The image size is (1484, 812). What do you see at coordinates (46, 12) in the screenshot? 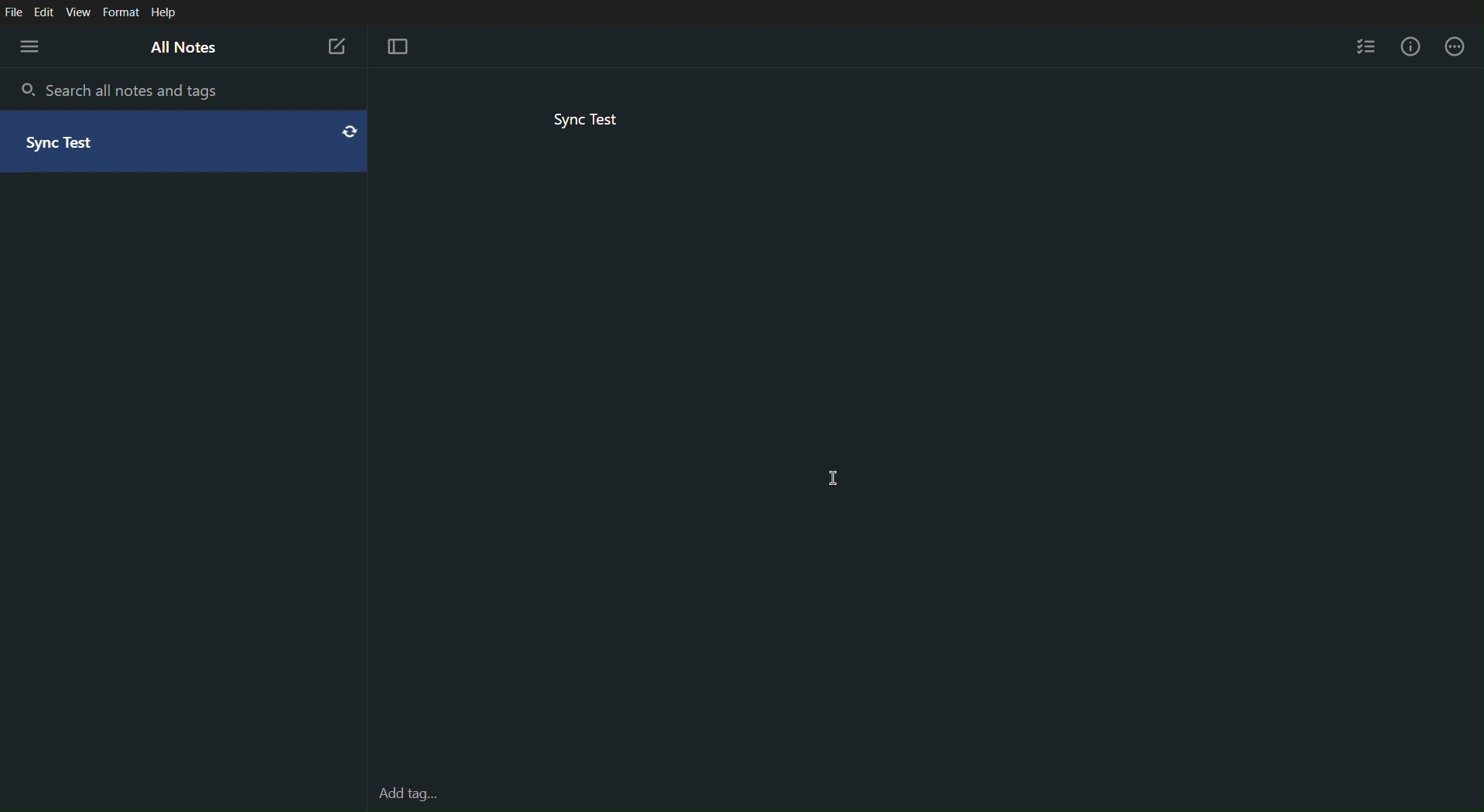
I see `Edit` at bounding box center [46, 12].